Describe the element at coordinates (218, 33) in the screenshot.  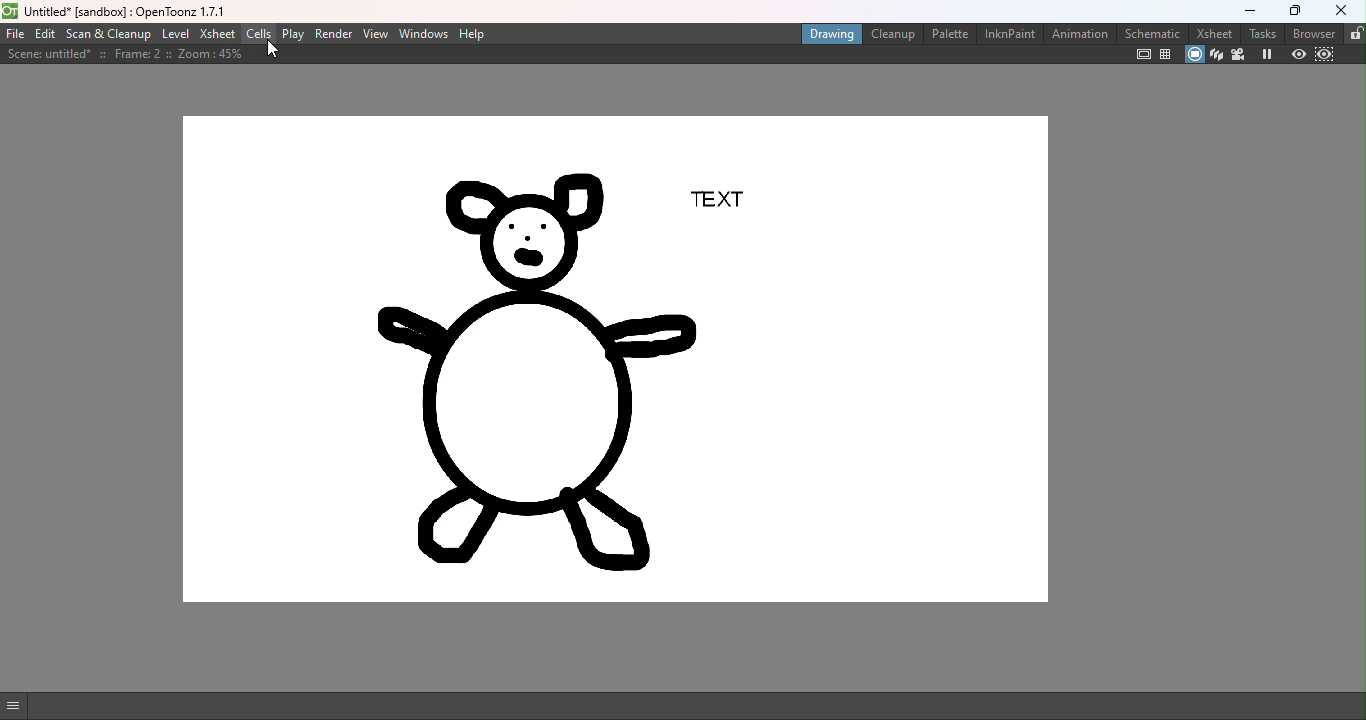
I see `Xsheet` at that location.